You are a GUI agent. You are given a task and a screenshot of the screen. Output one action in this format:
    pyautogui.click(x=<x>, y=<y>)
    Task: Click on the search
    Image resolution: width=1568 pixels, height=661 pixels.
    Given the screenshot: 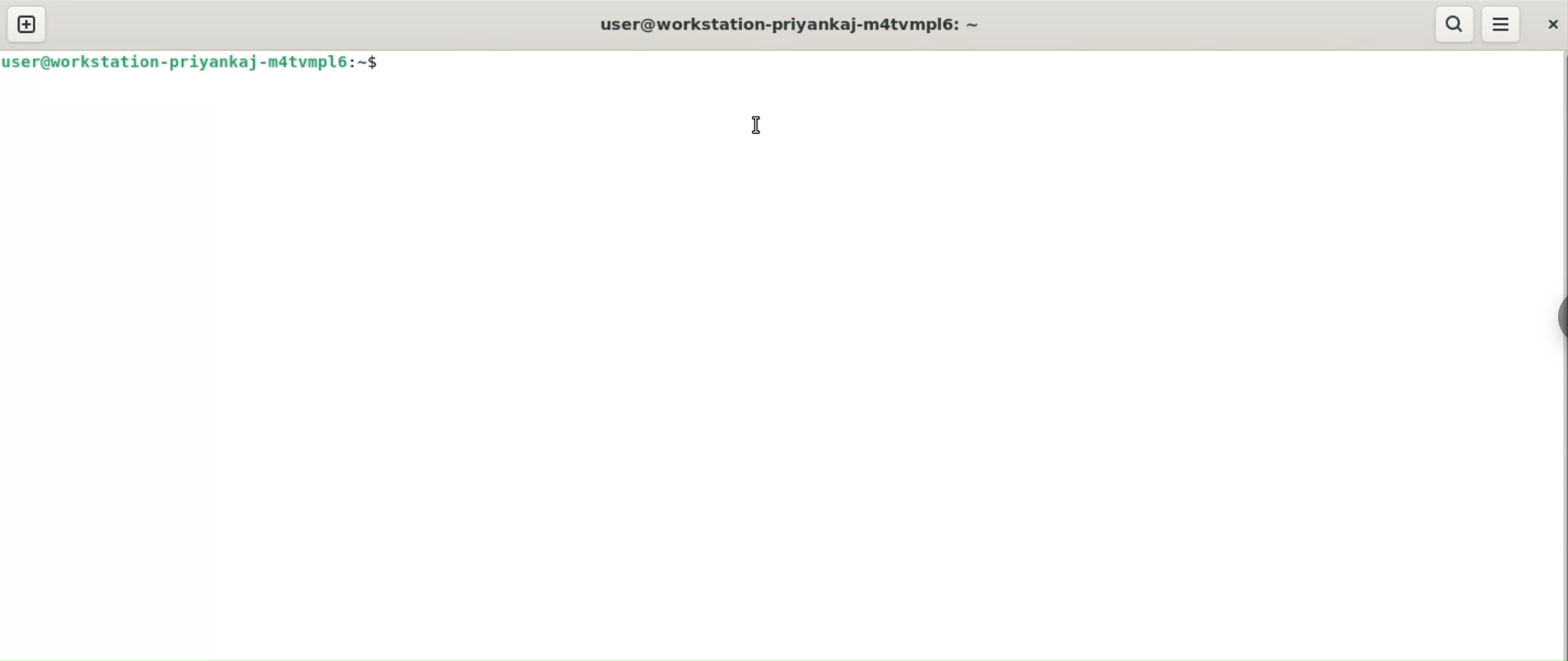 What is the action you would take?
    pyautogui.click(x=1453, y=25)
    